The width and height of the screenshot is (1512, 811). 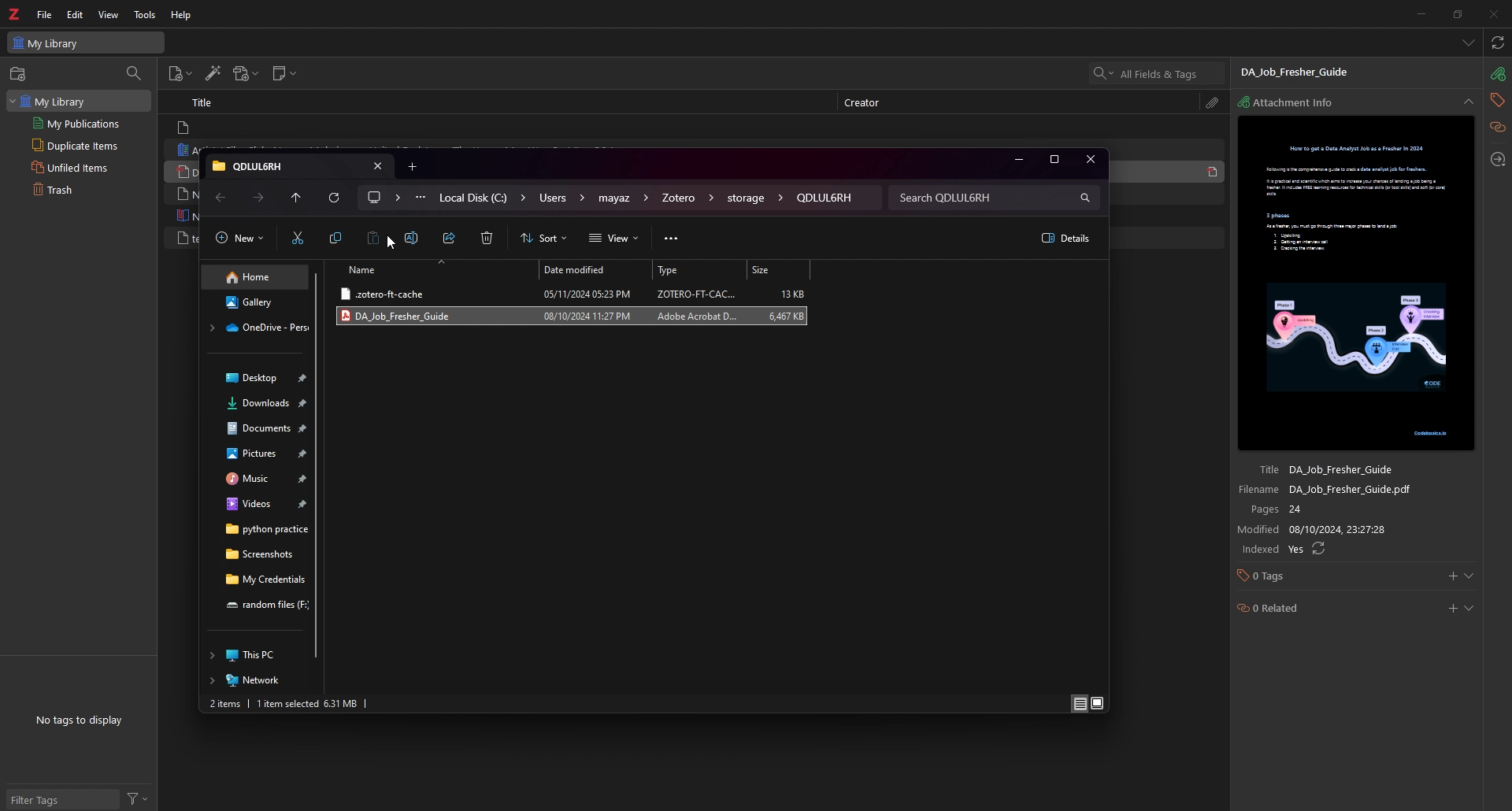 I want to click on new collection, so click(x=18, y=74).